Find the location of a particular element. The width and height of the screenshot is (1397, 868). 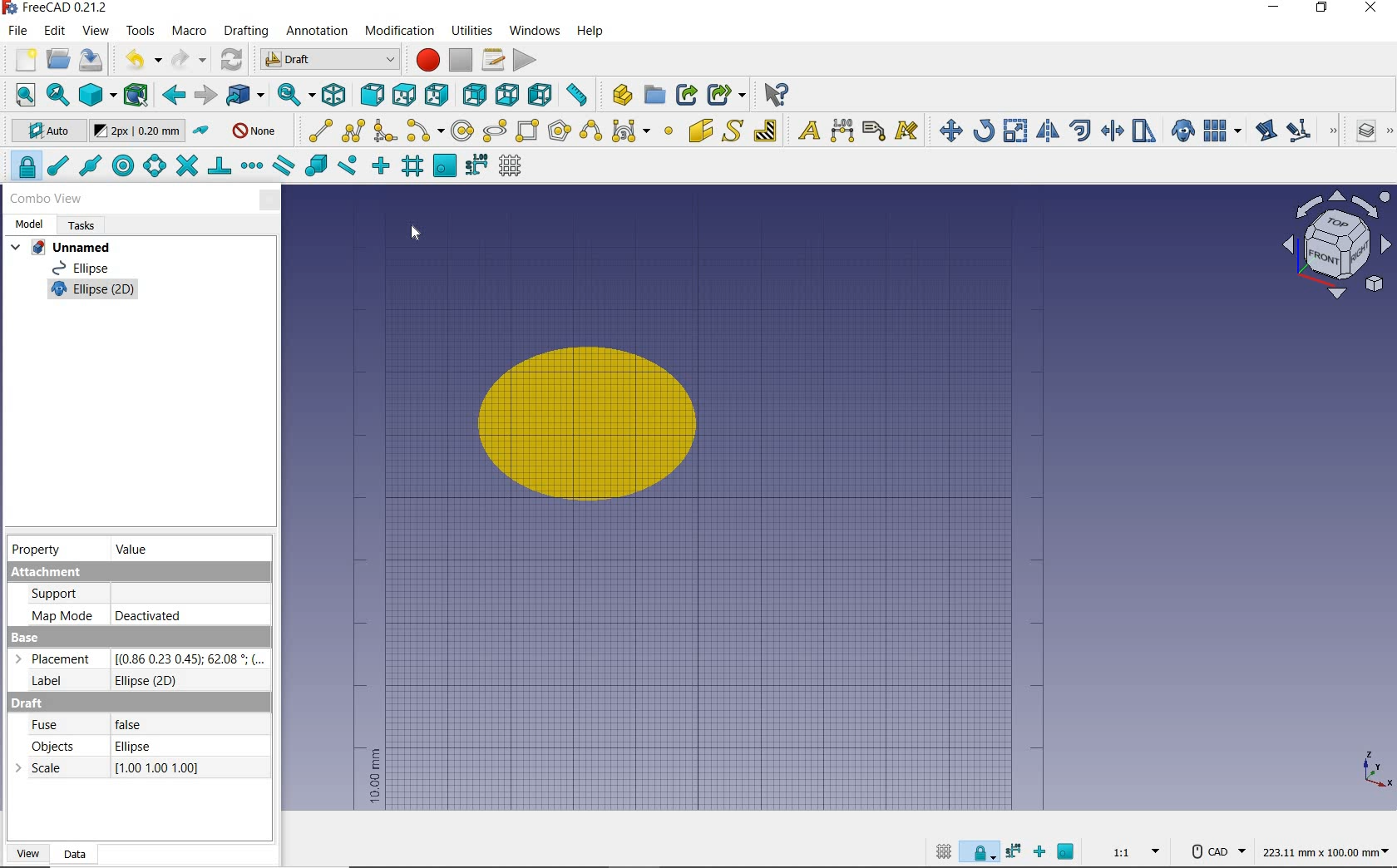

set scale is located at coordinates (1131, 852).